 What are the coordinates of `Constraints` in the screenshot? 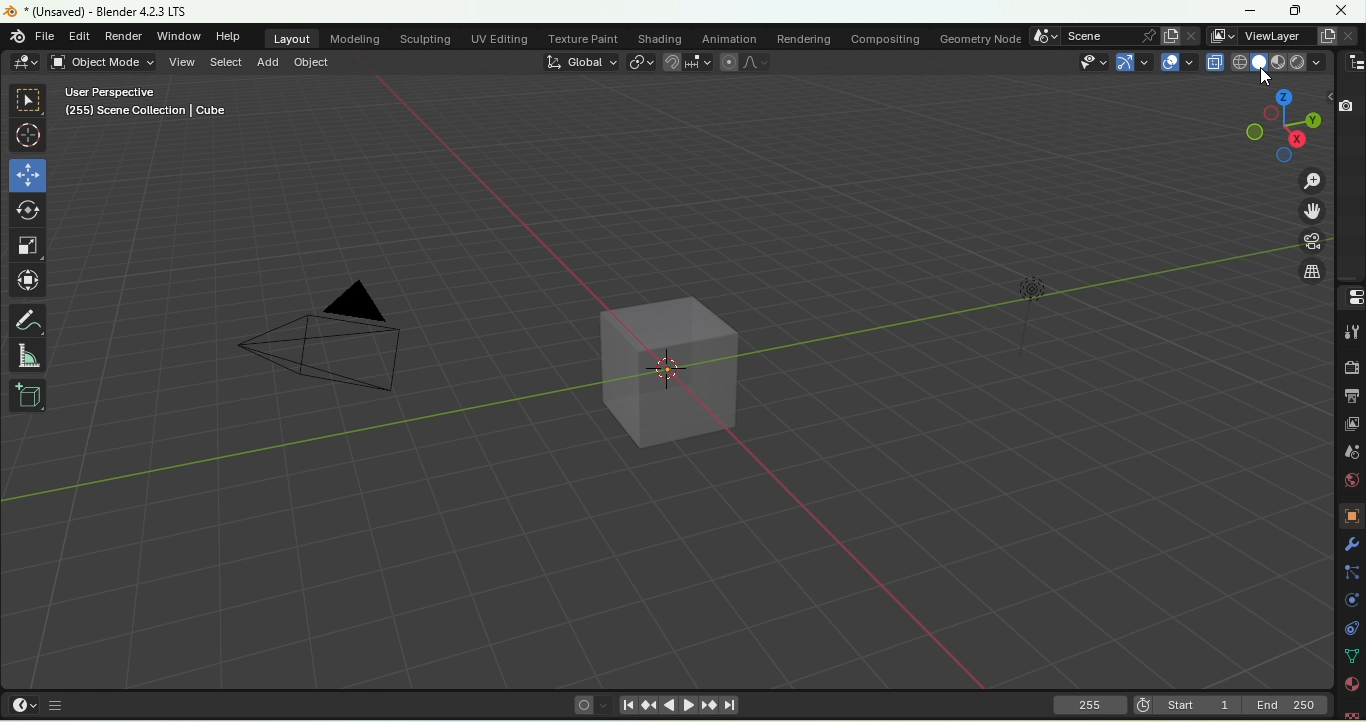 It's located at (1349, 630).